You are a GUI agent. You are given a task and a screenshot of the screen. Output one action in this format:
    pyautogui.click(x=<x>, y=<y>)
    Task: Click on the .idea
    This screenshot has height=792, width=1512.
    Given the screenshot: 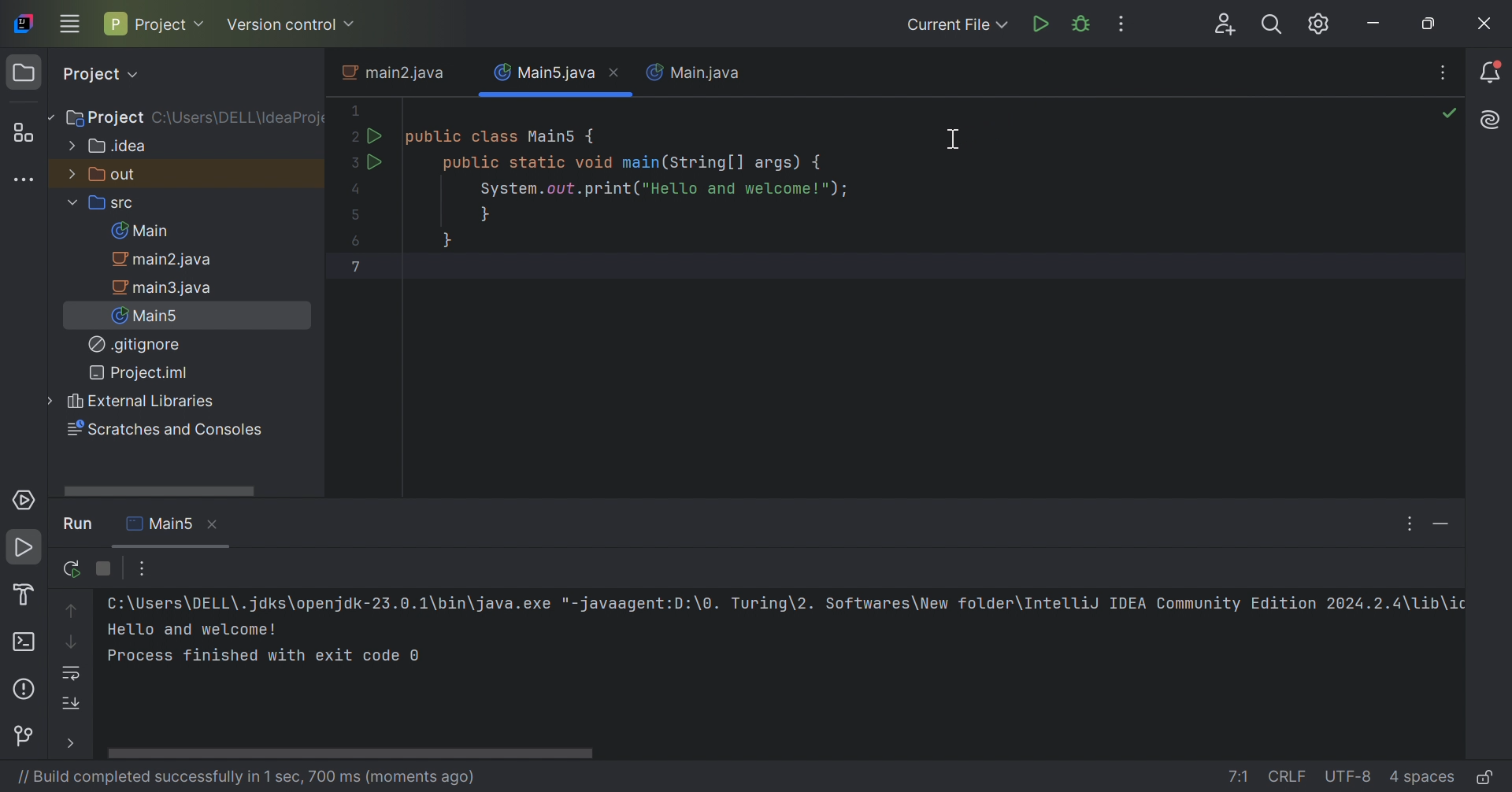 What is the action you would take?
    pyautogui.click(x=109, y=148)
    